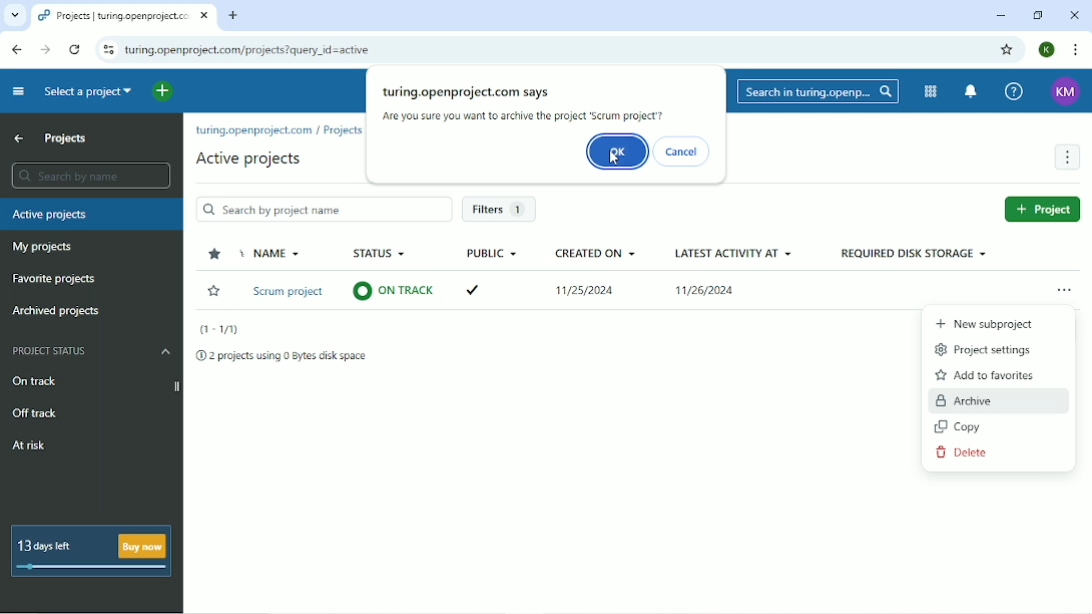 This screenshot has height=614, width=1092. Describe the element at coordinates (704, 293) in the screenshot. I see `11/26/2024` at that location.